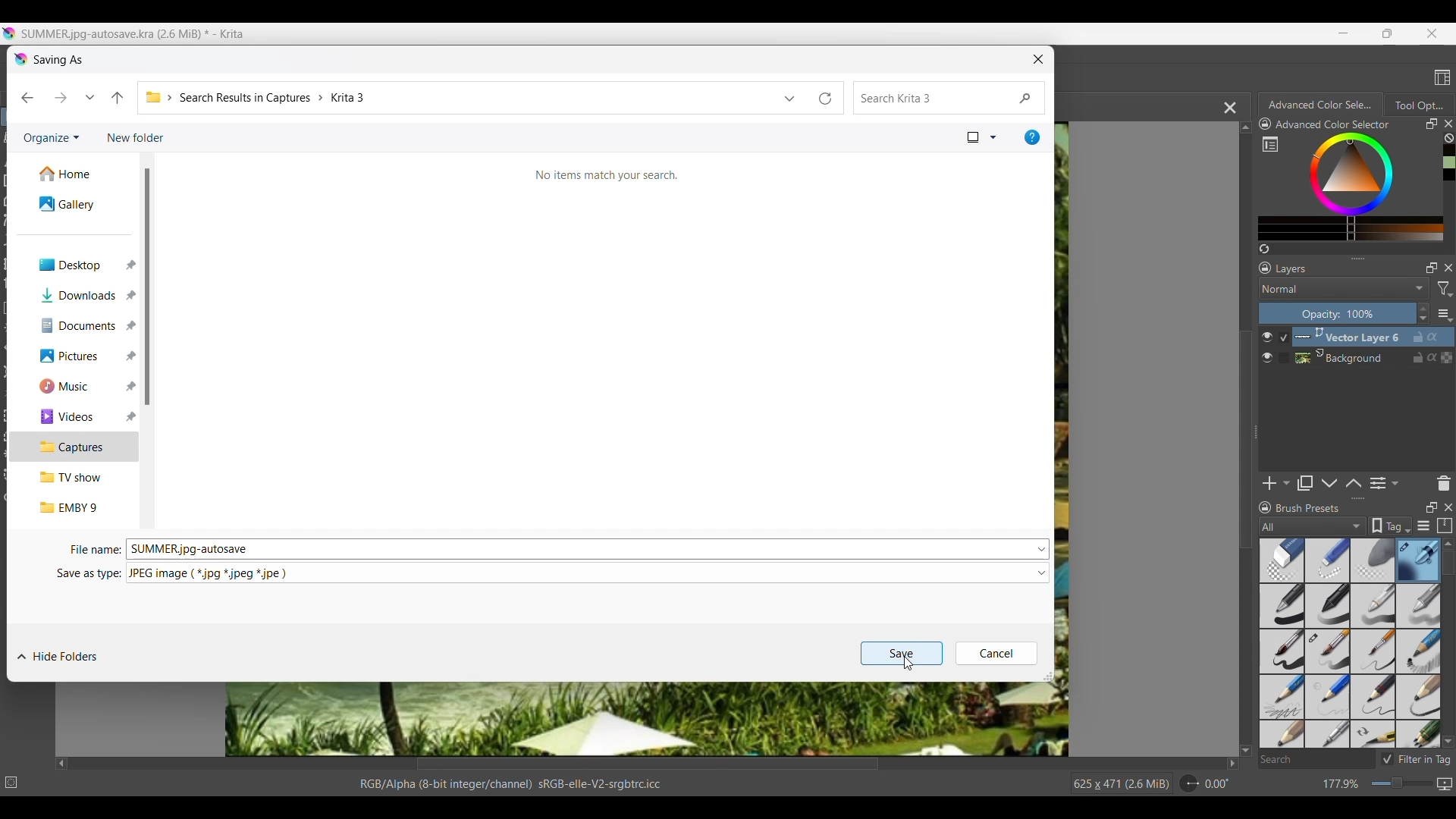 Image resolution: width=1456 pixels, height=819 pixels. Describe the element at coordinates (58, 61) in the screenshot. I see `Name of current window` at that location.